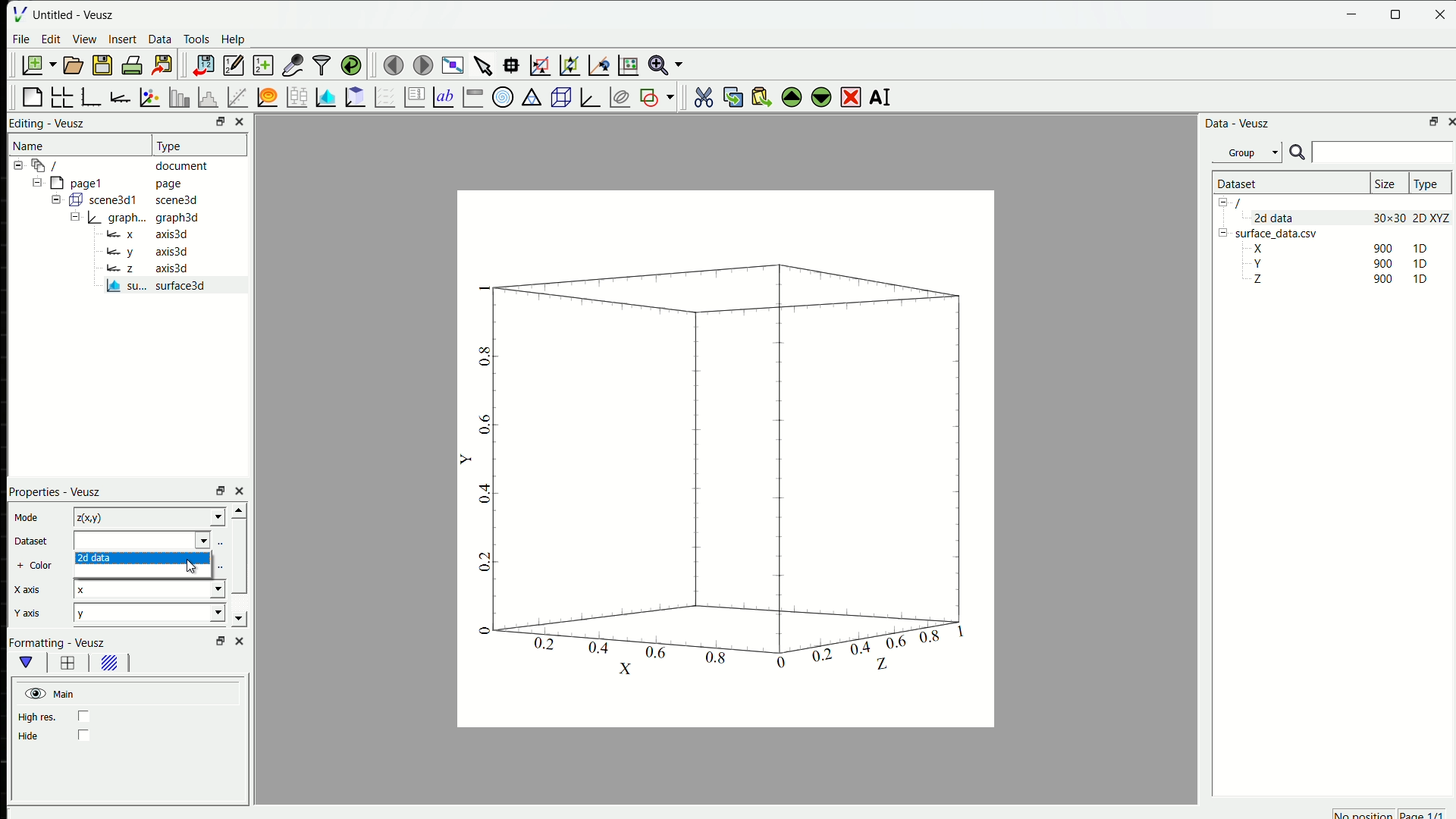 The height and width of the screenshot is (819, 1456). What do you see at coordinates (821, 96) in the screenshot?
I see `move the selected widget down` at bounding box center [821, 96].